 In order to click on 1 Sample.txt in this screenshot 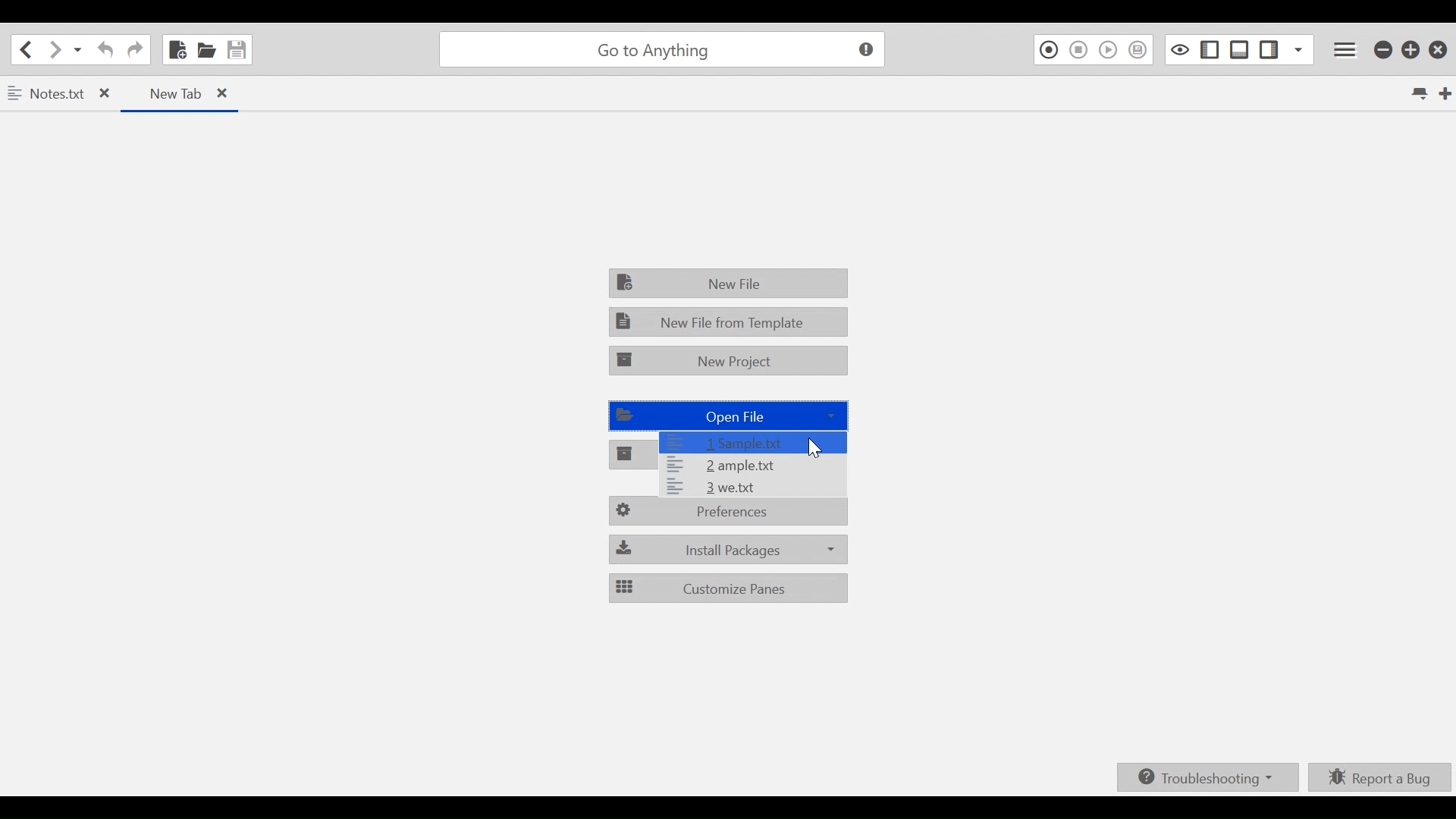, I will do `click(750, 442)`.